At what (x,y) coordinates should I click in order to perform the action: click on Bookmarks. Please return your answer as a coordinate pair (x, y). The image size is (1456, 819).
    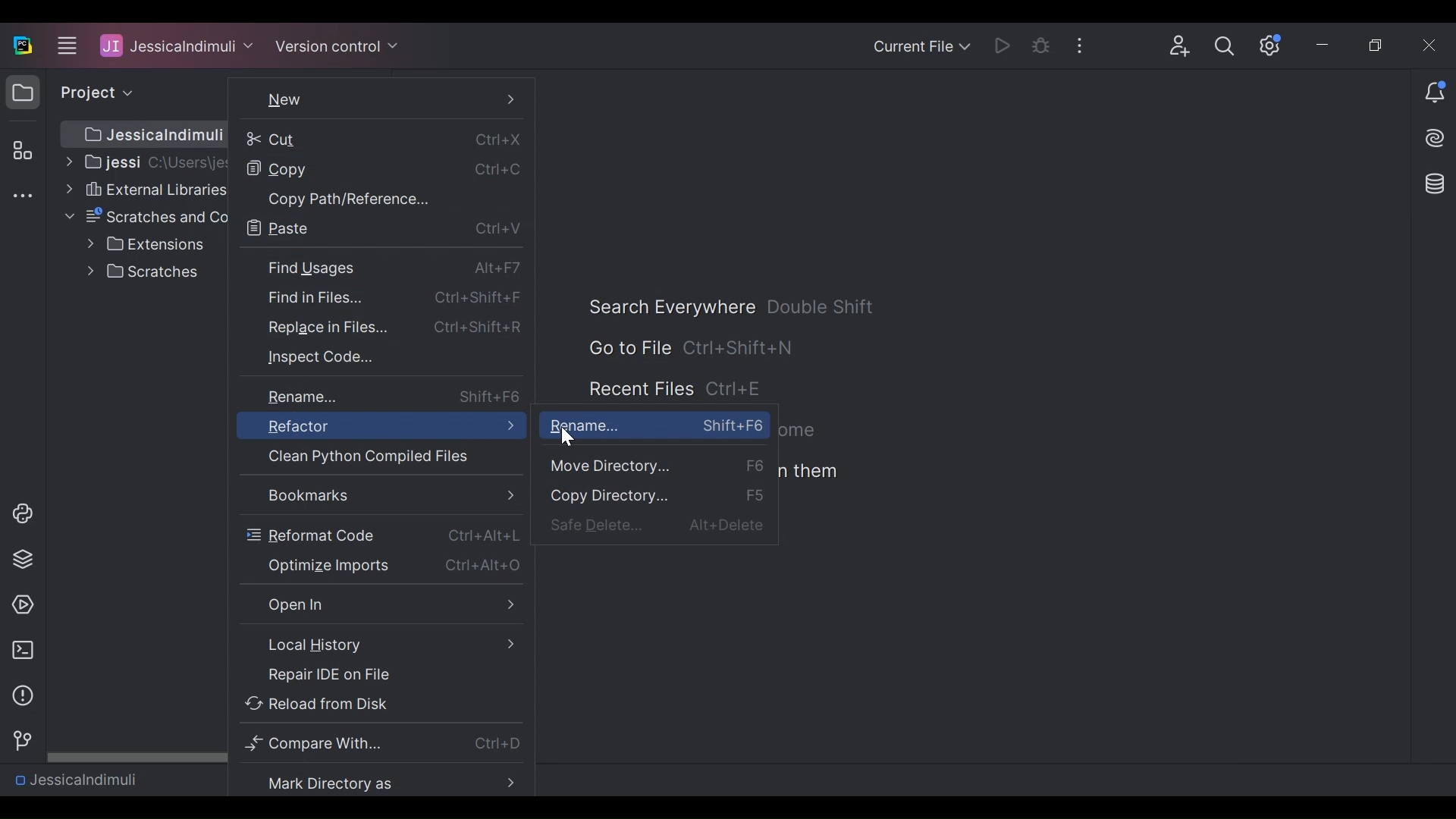
    Looking at the image, I should click on (384, 496).